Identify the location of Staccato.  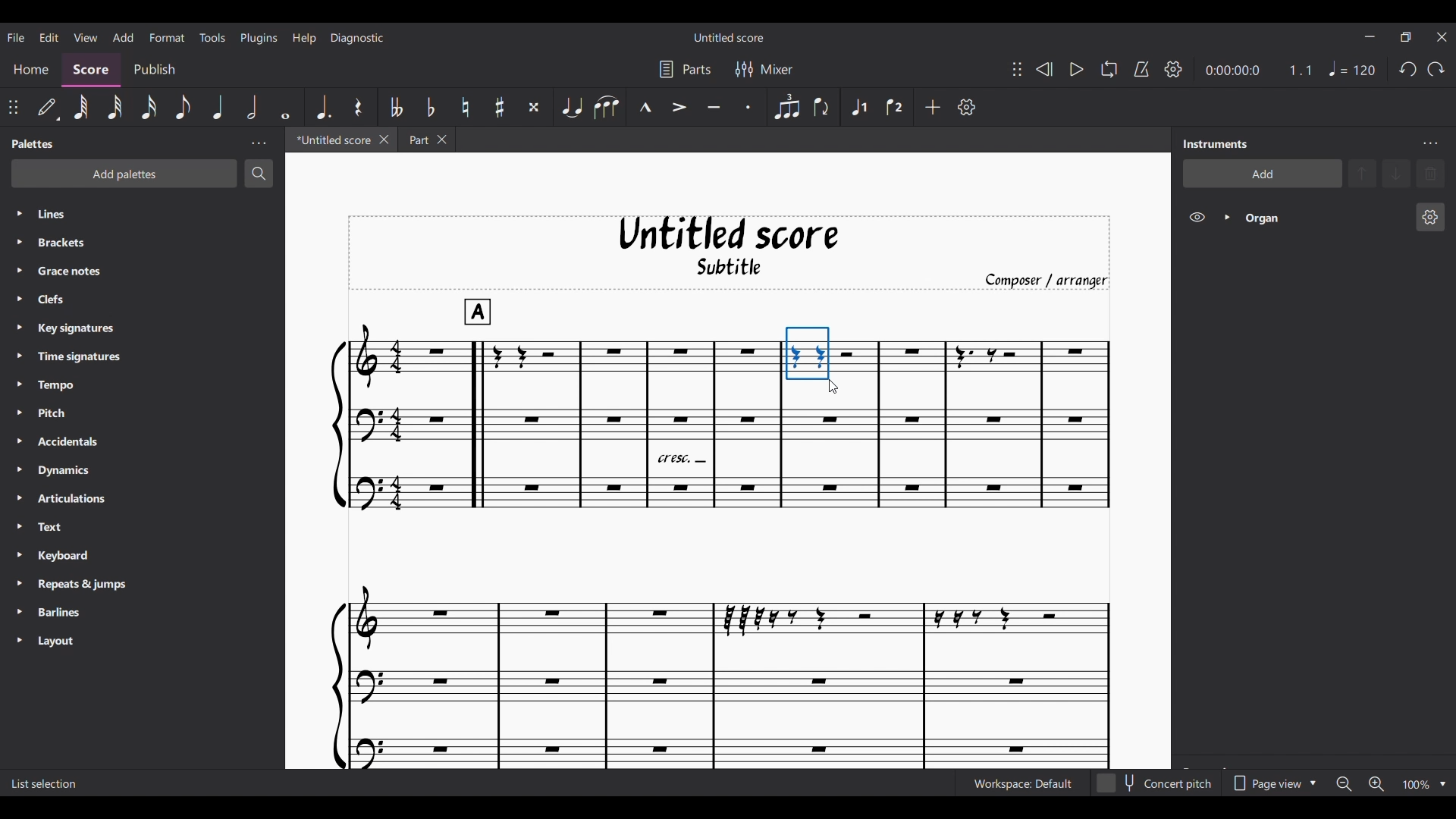
(748, 108).